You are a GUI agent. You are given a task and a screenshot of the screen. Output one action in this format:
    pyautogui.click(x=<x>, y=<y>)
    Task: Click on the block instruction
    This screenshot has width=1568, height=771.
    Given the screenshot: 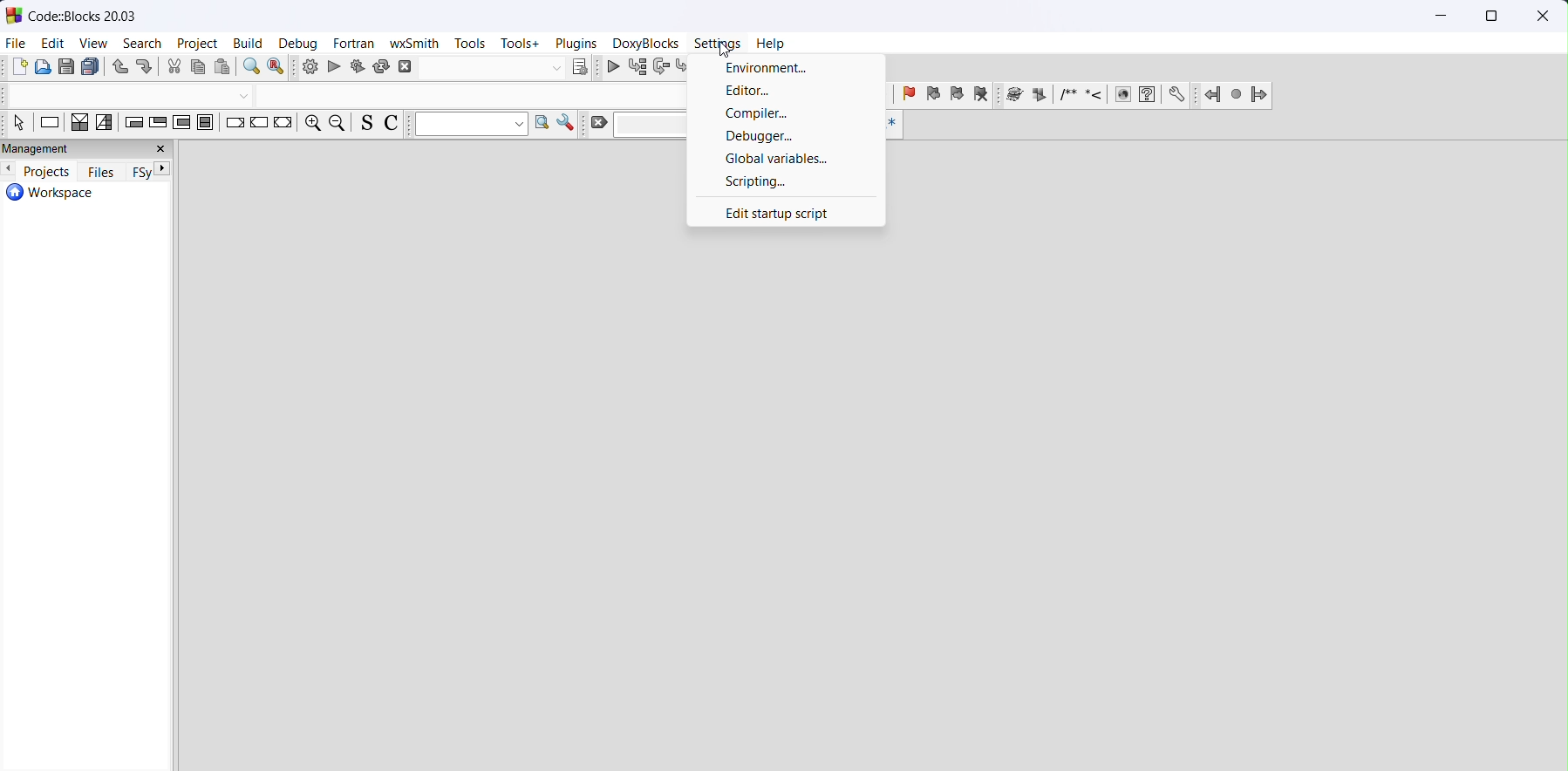 What is the action you would take?
    pyautogui.click(x=208, y=125)
    